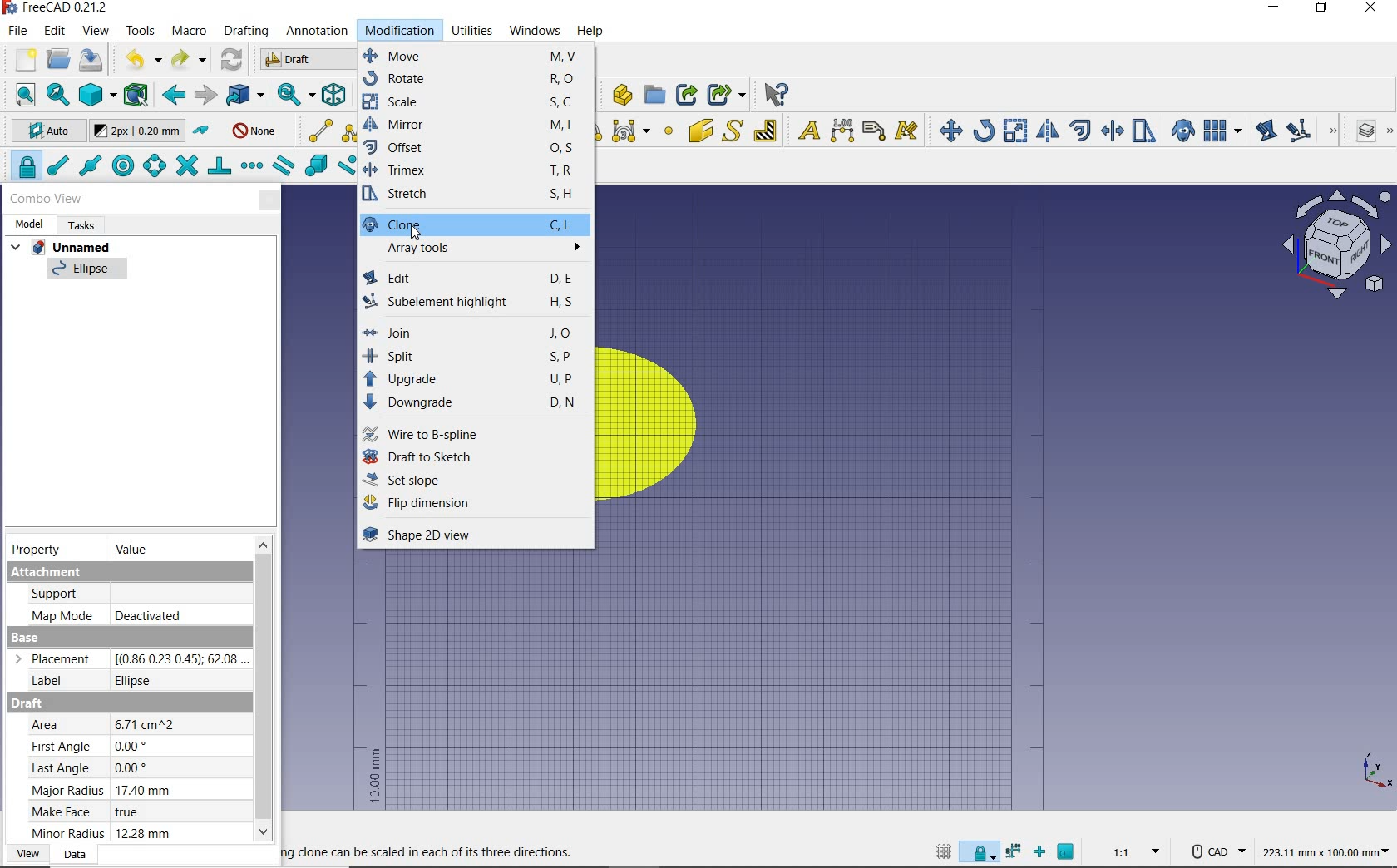 This screenshot has width=1397, height=868. Describe the element at coordinates (1372, 9) in the screenshot. I see `close` at that location.